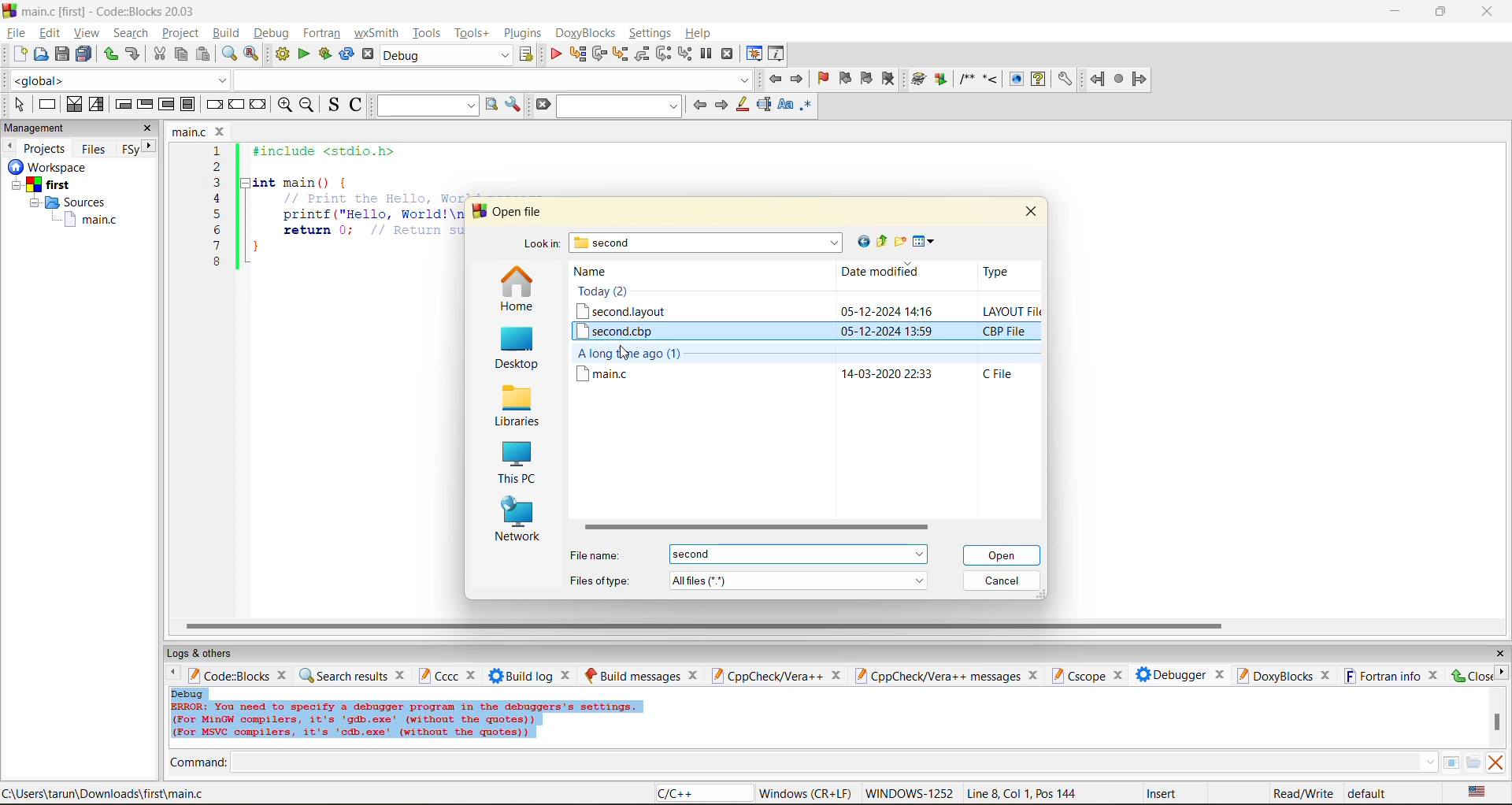 The height and width of the screenshot is (805, 1512). I want to click on 3, so click(217, 182).